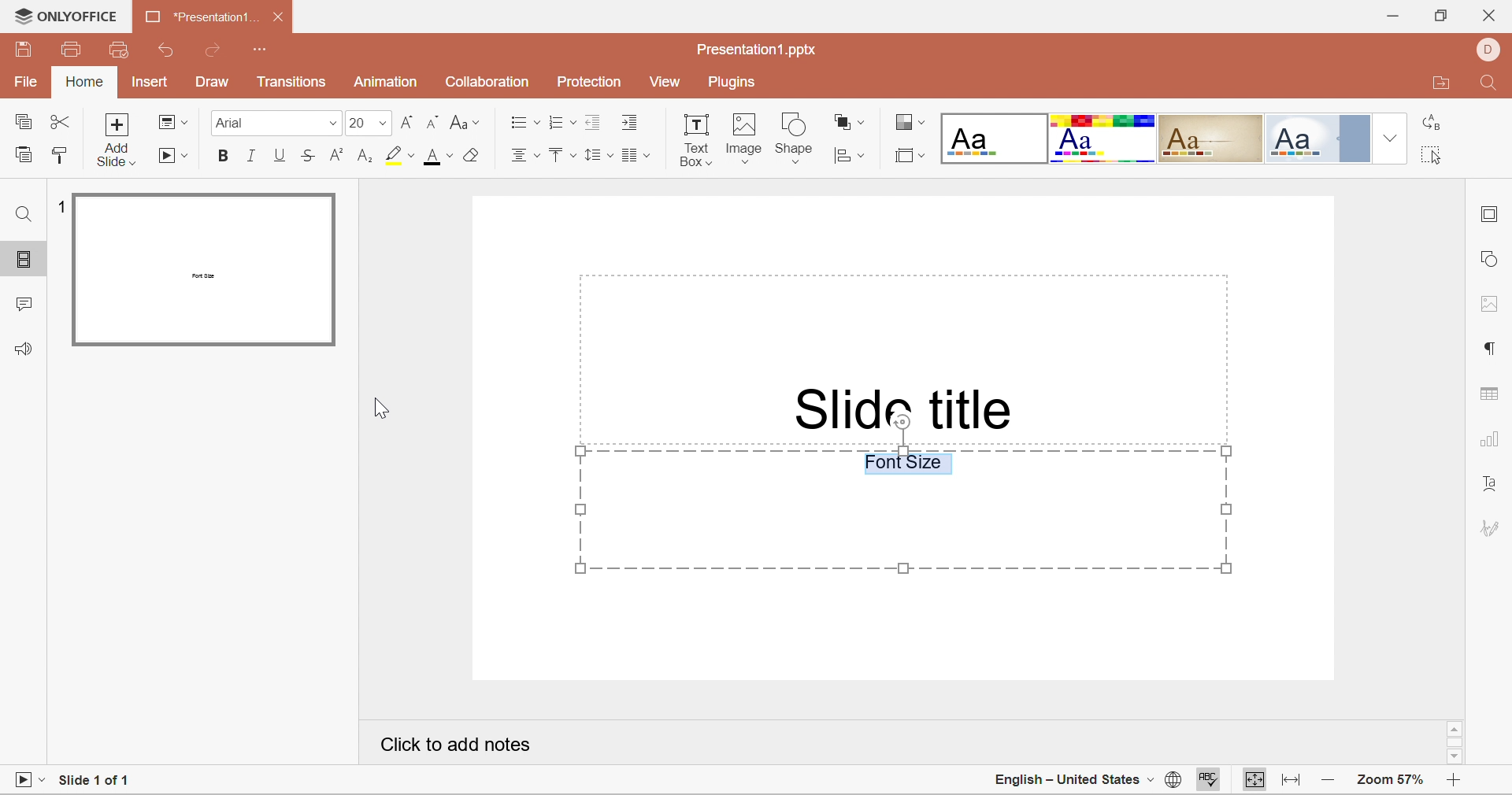 This screenshot has height=795, width=1512. I want to click on Fit to slide, so click(1255, 781).